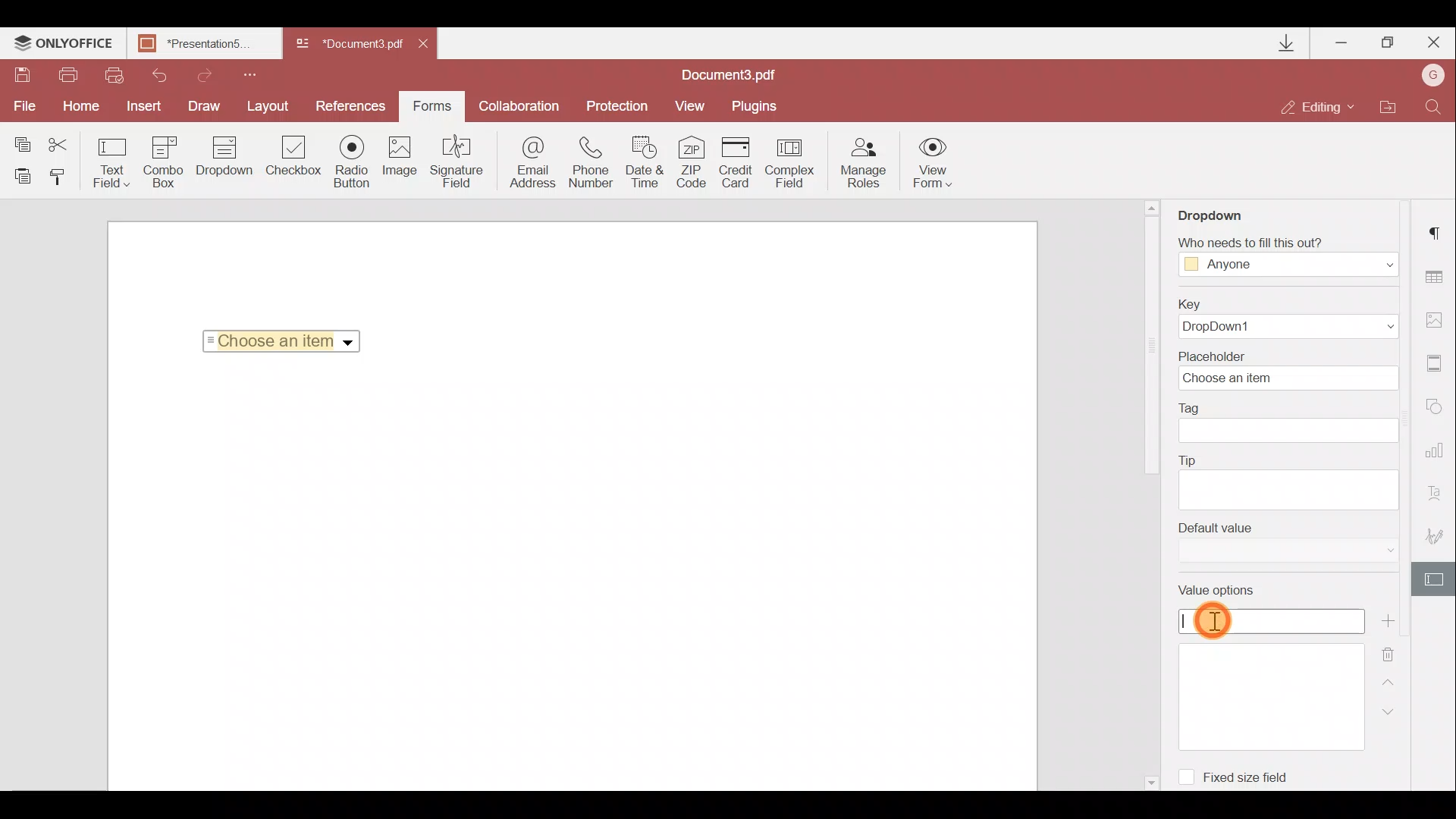  What do you see at coordinates (269, 104) in the screenshot?
I see `Layout` at bounding box center [269, 104].